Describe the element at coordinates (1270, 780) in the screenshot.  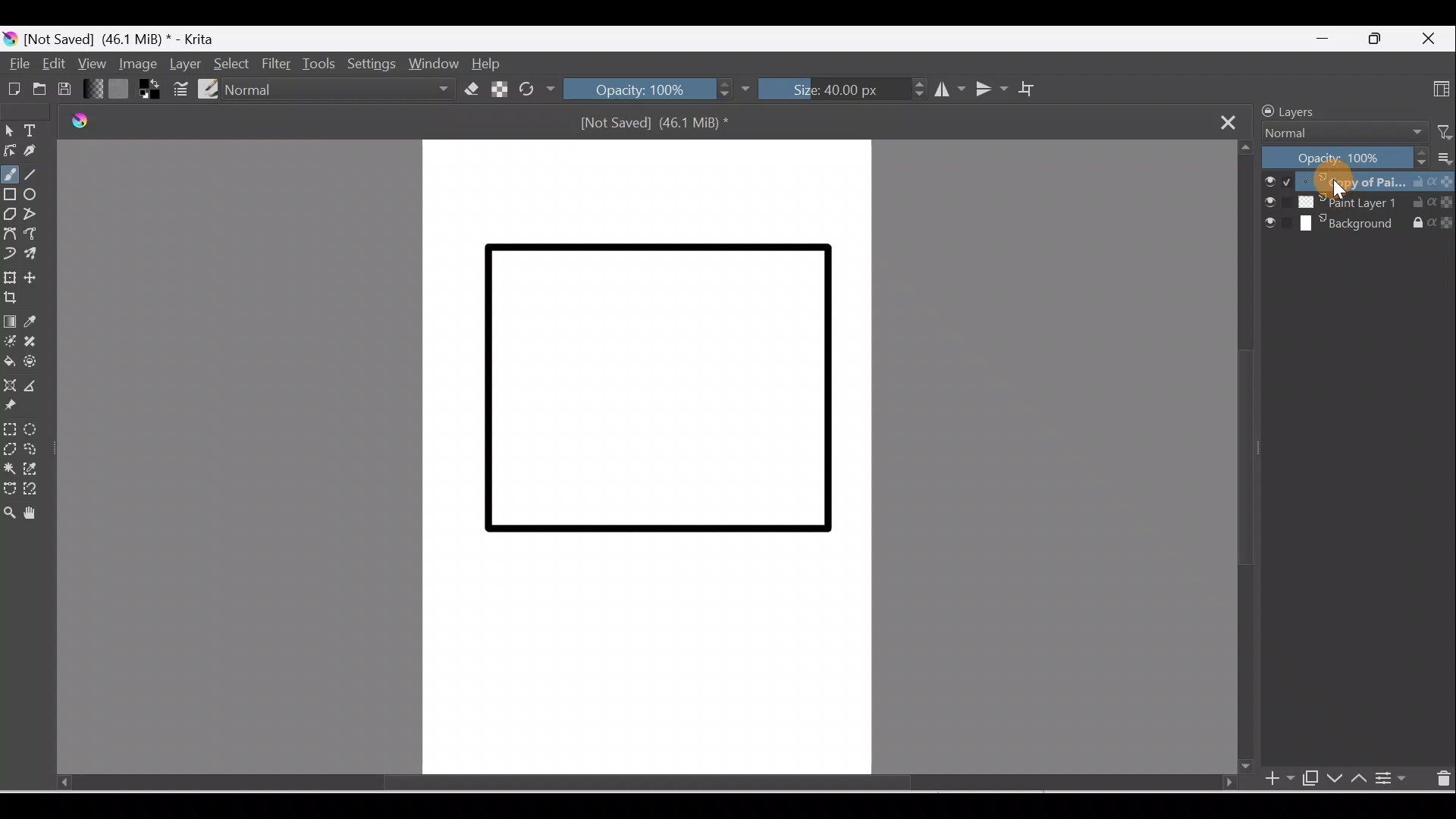
I see `Add layer` at that location.